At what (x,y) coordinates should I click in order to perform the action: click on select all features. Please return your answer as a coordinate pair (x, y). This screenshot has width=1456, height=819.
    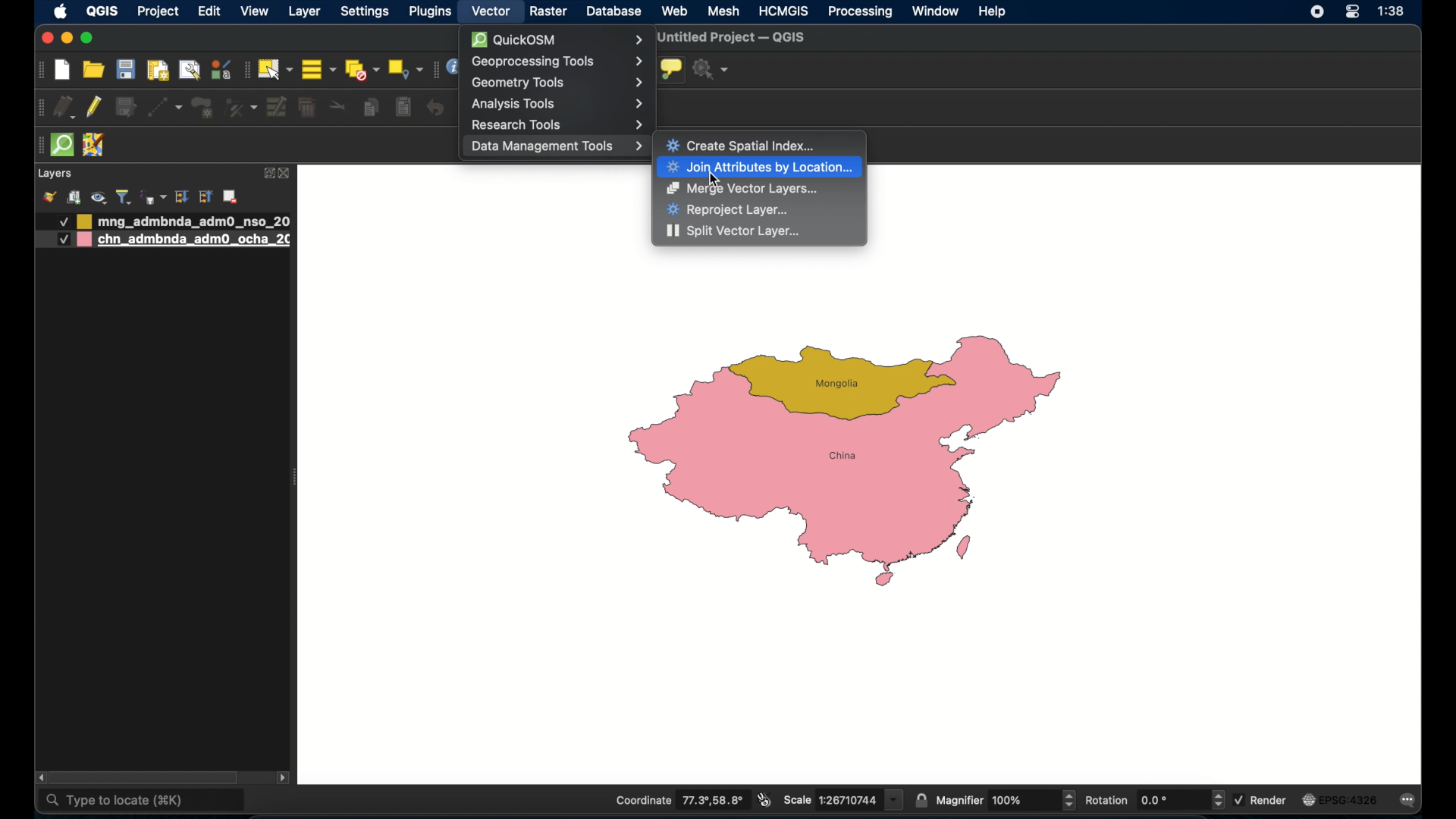
    Looking at the image, I should click on (318, 69).